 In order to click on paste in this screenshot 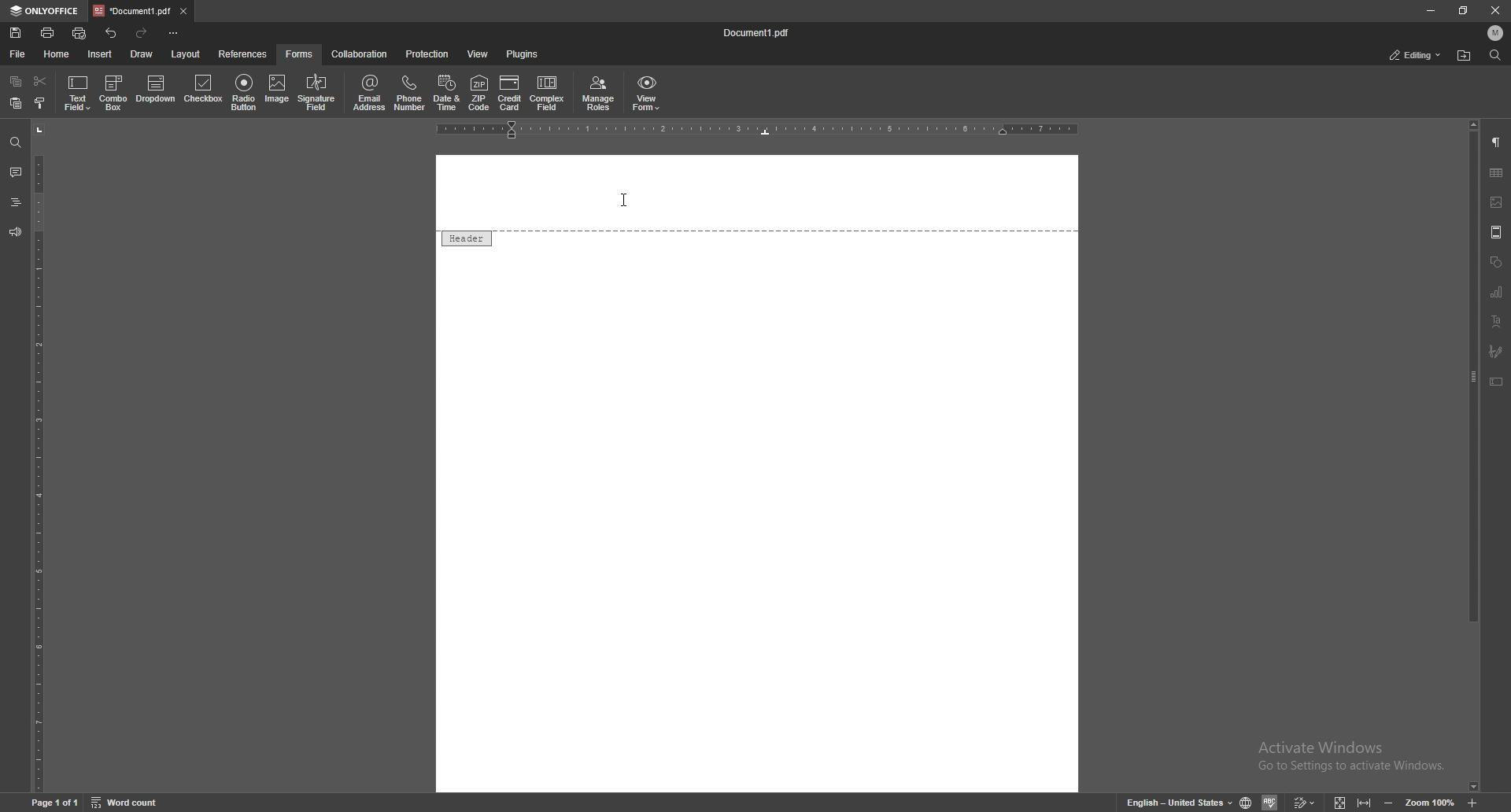, I will do `click(16, 103)`.